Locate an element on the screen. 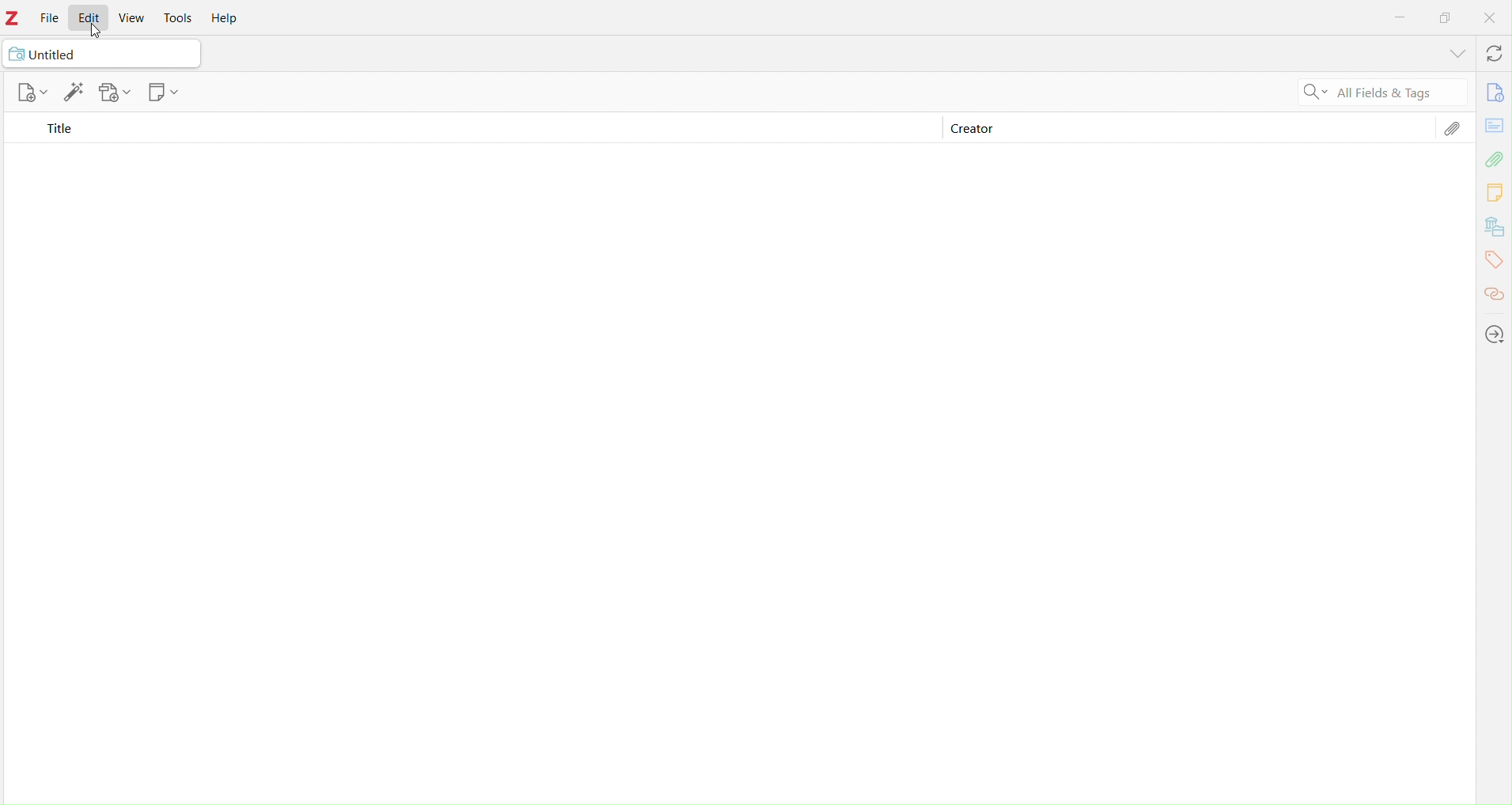  Info is located at coordinates (1492, 93).